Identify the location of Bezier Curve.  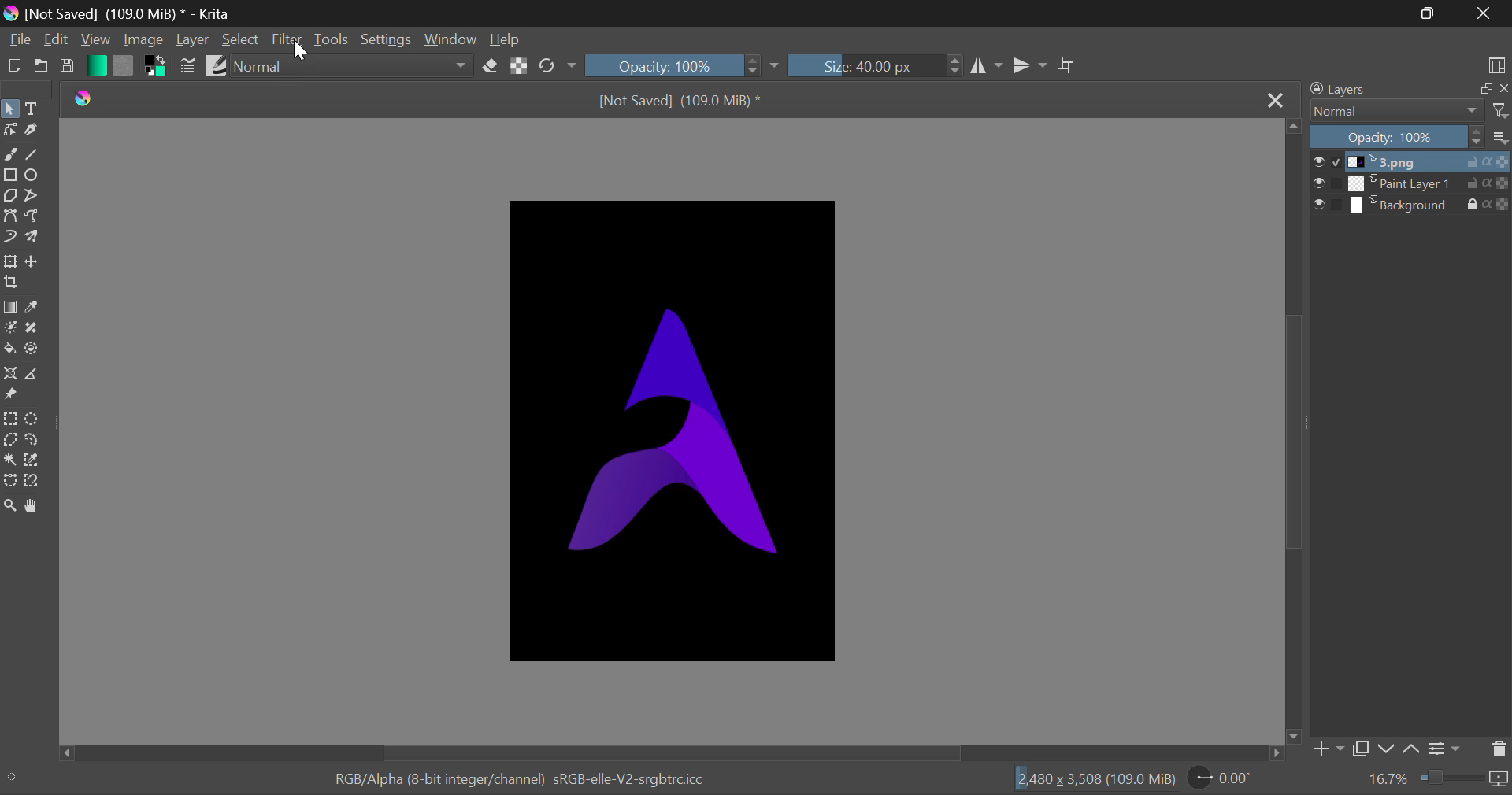
(9, 215).